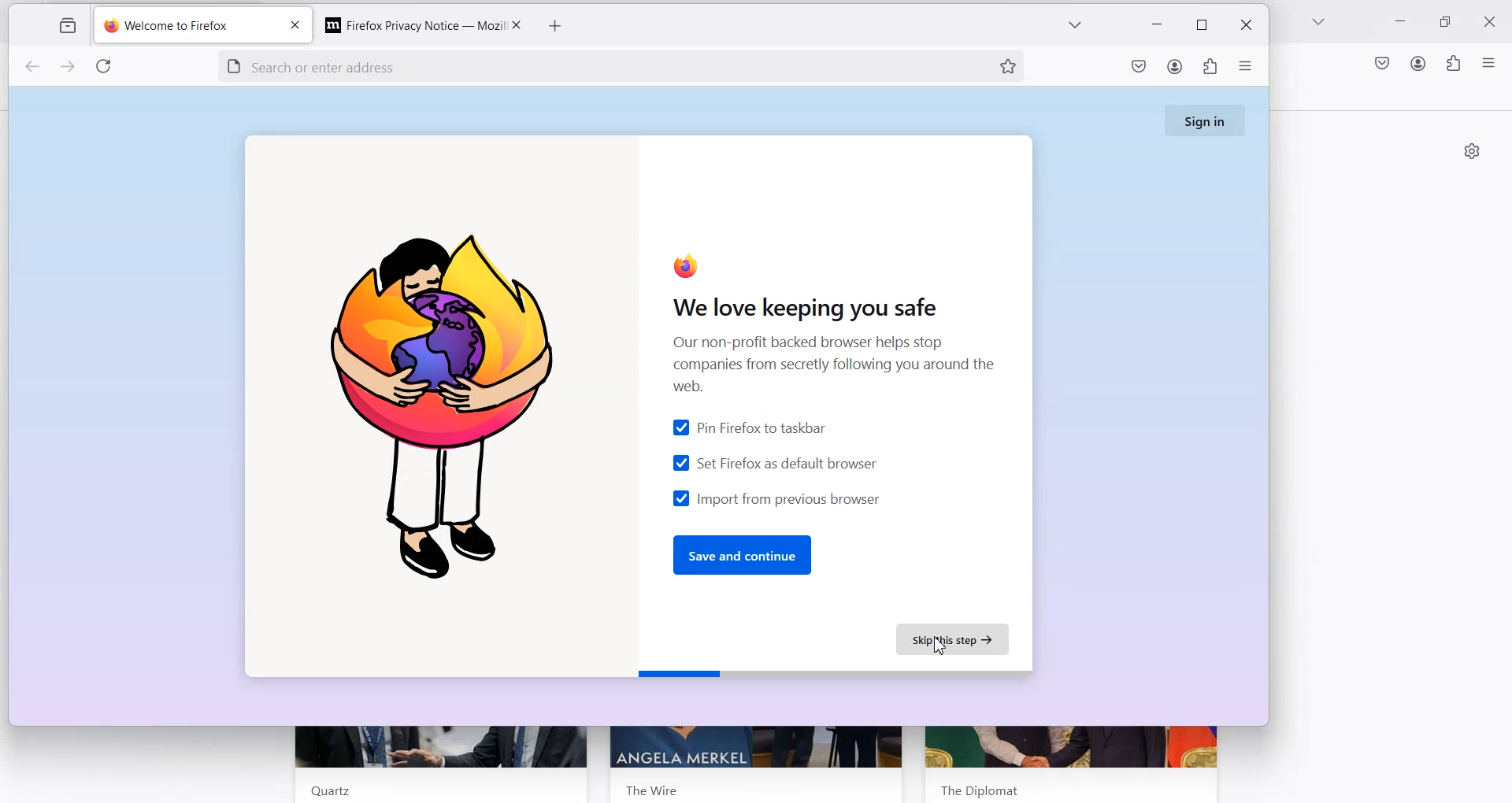 The image size is (1512, 803). I want to click on List all tab, so click(1319, 23).